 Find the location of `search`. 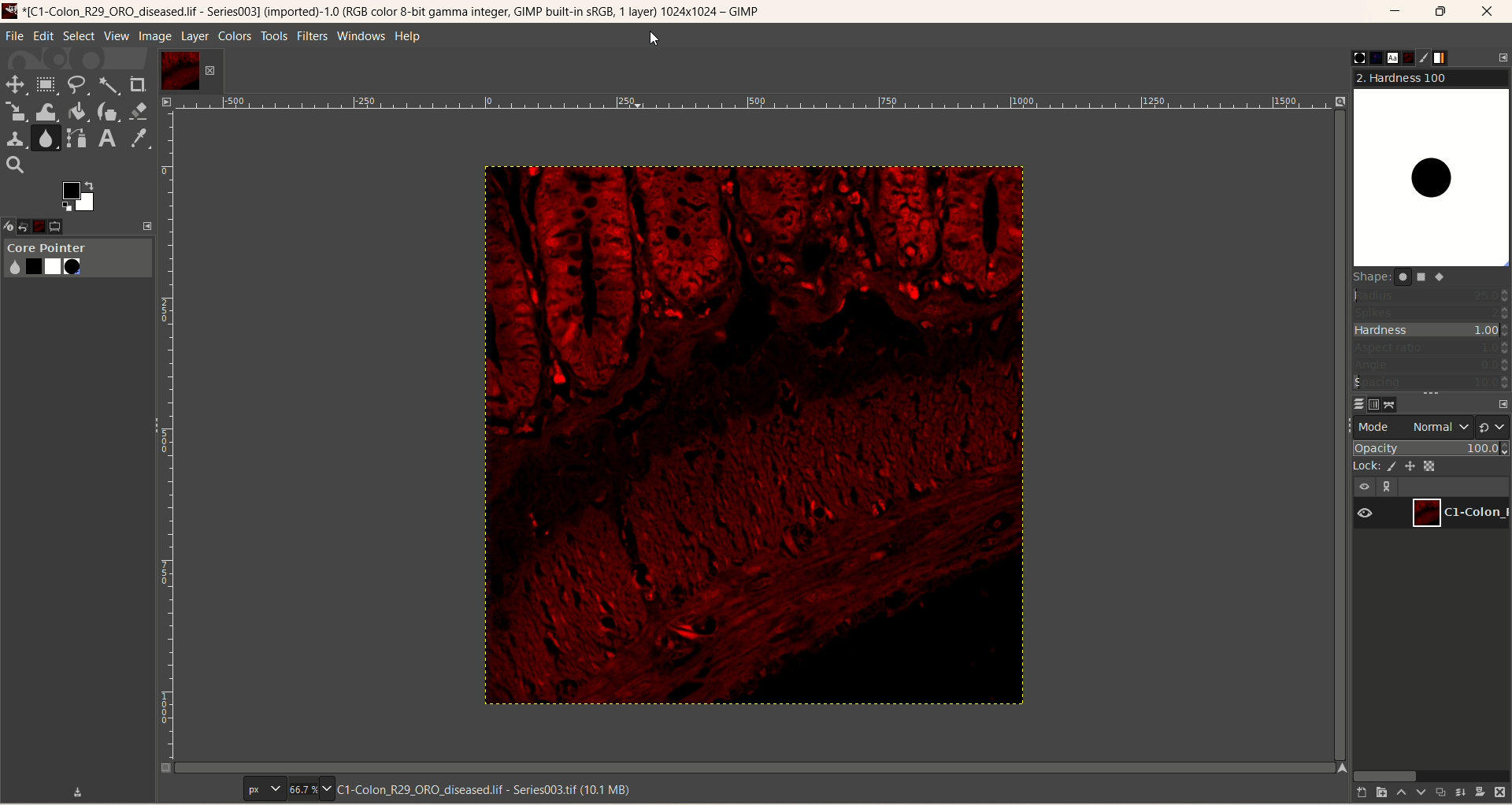

search is located at coordinates (15, 165).